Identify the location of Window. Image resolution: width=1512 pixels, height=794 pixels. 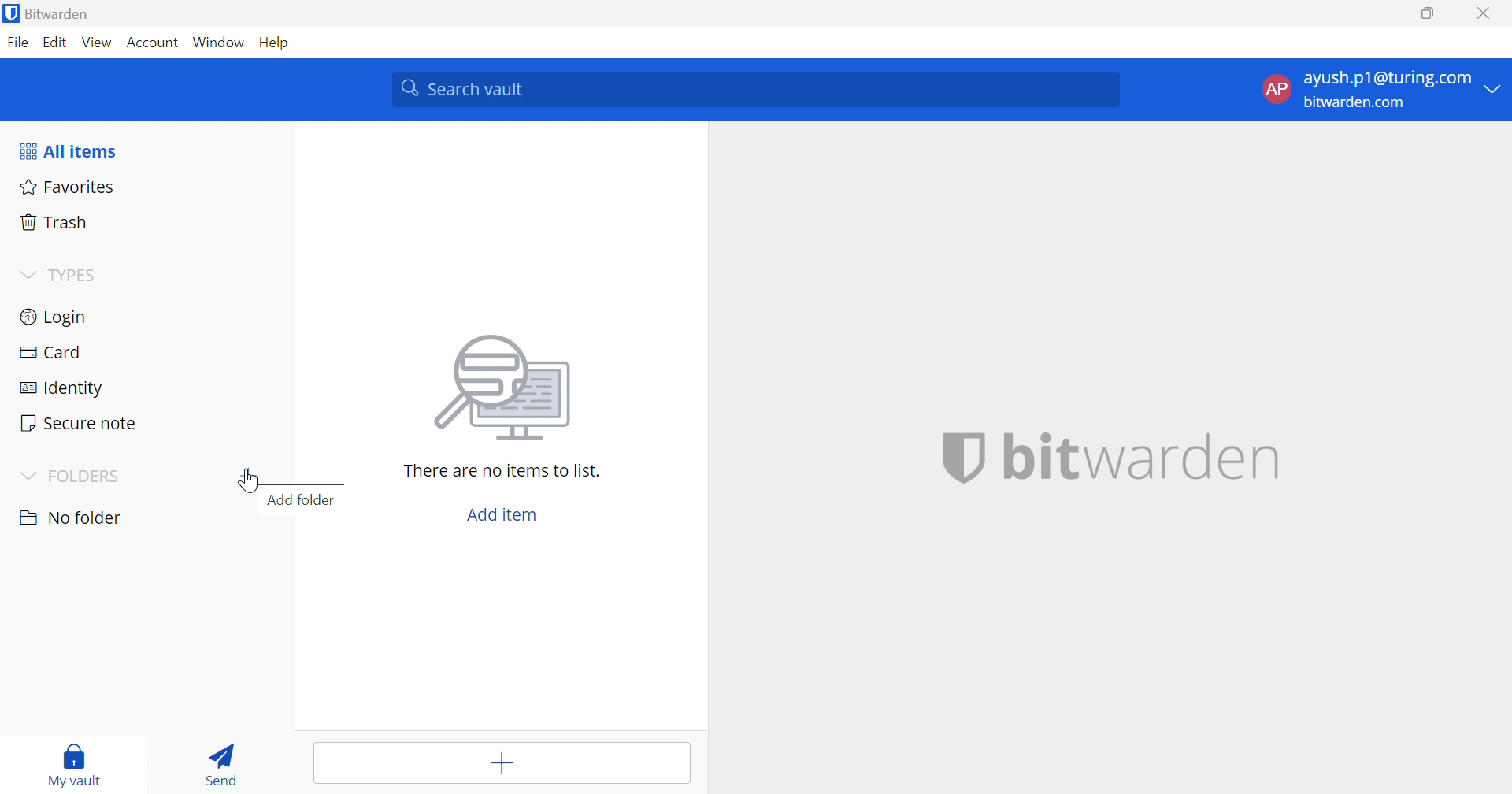
(217, 42).